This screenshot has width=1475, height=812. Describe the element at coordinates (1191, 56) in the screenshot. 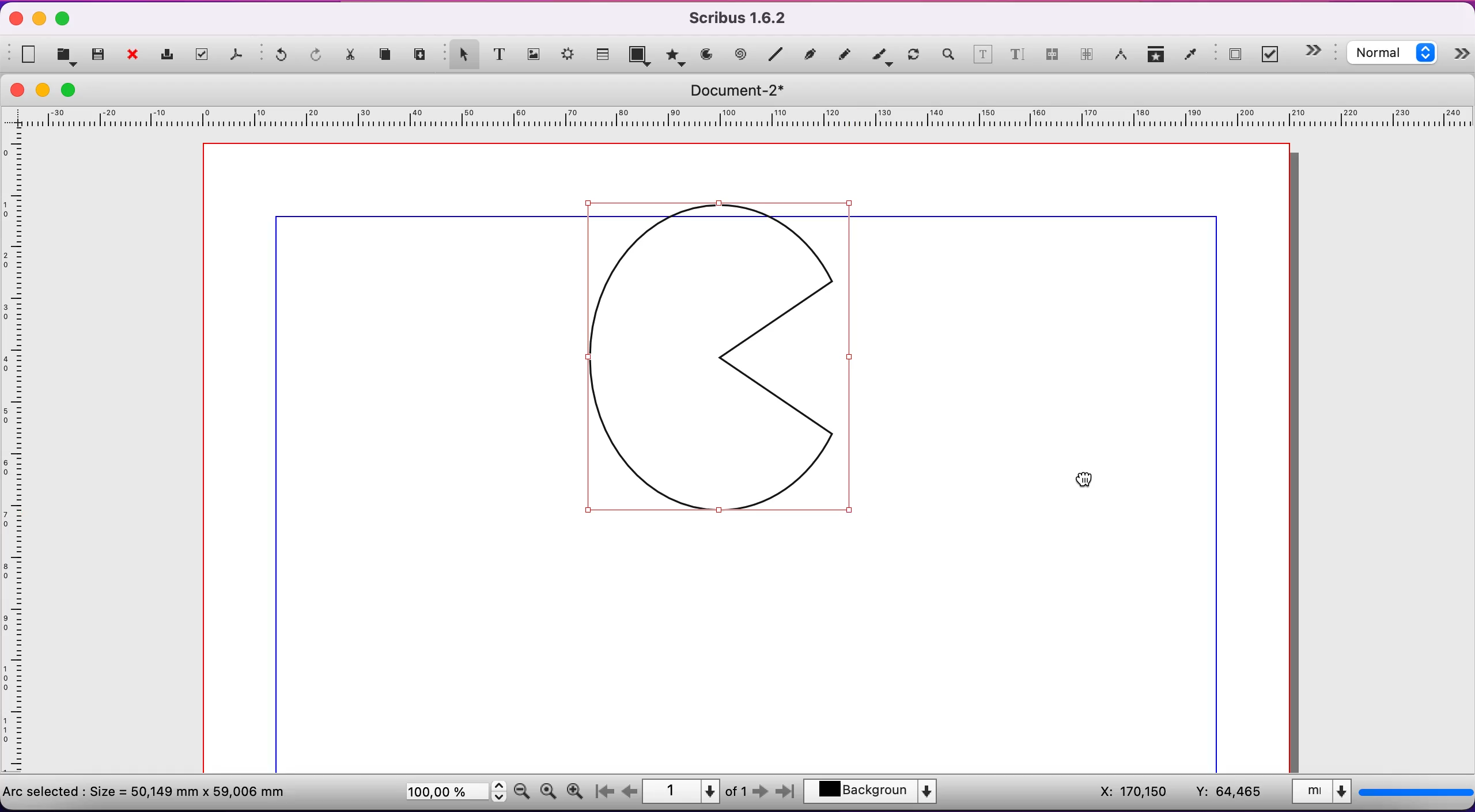

I see `eye dropper` at that location.